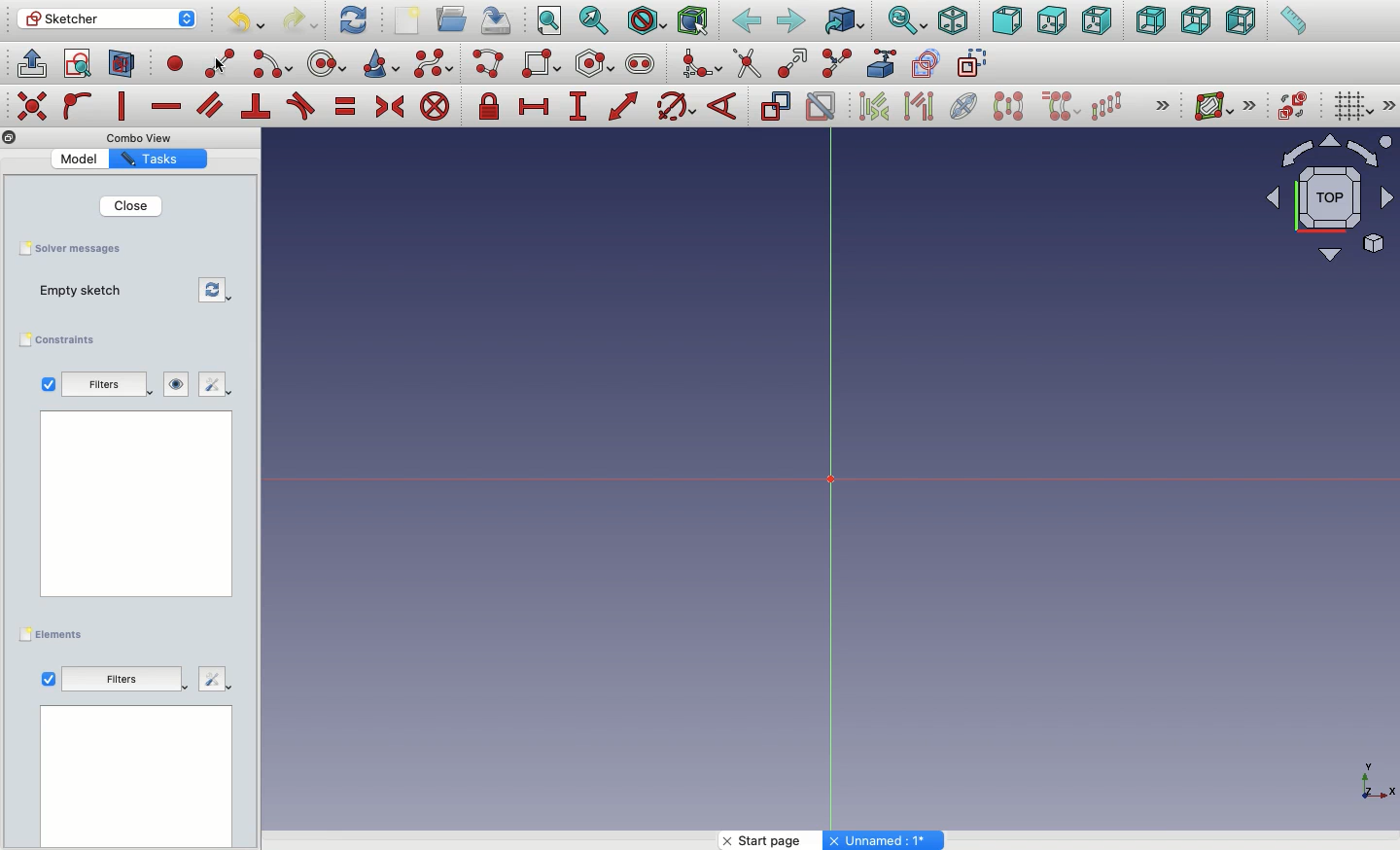 Image resolution: width=1400 pixels, height=850 pixels. Describe the element at coordinates (1007, 106) in the screenshot. I see `Symmetry` at that location.